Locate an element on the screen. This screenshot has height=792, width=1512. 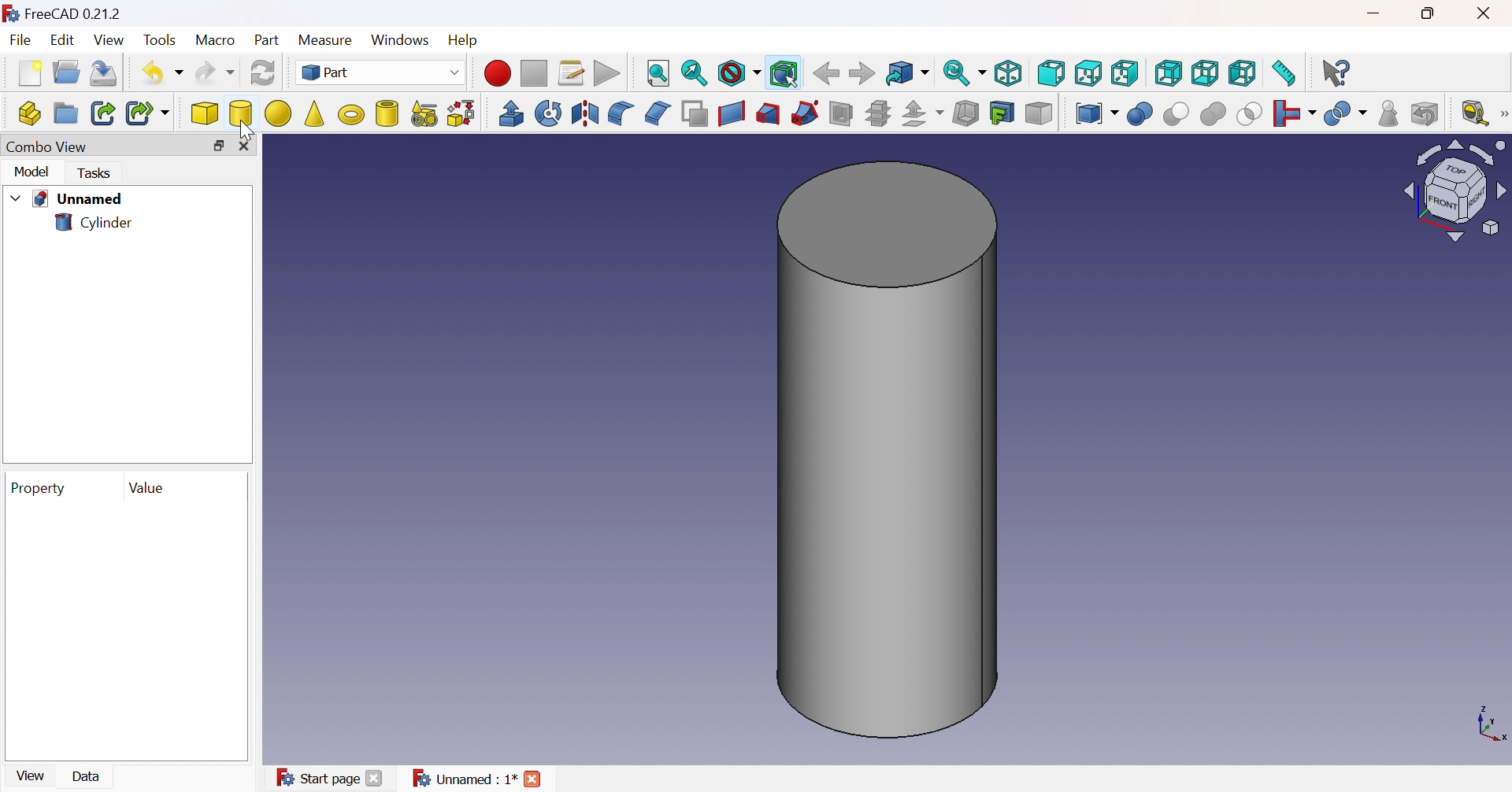
What's this? is located at coordinates (1337, 72).